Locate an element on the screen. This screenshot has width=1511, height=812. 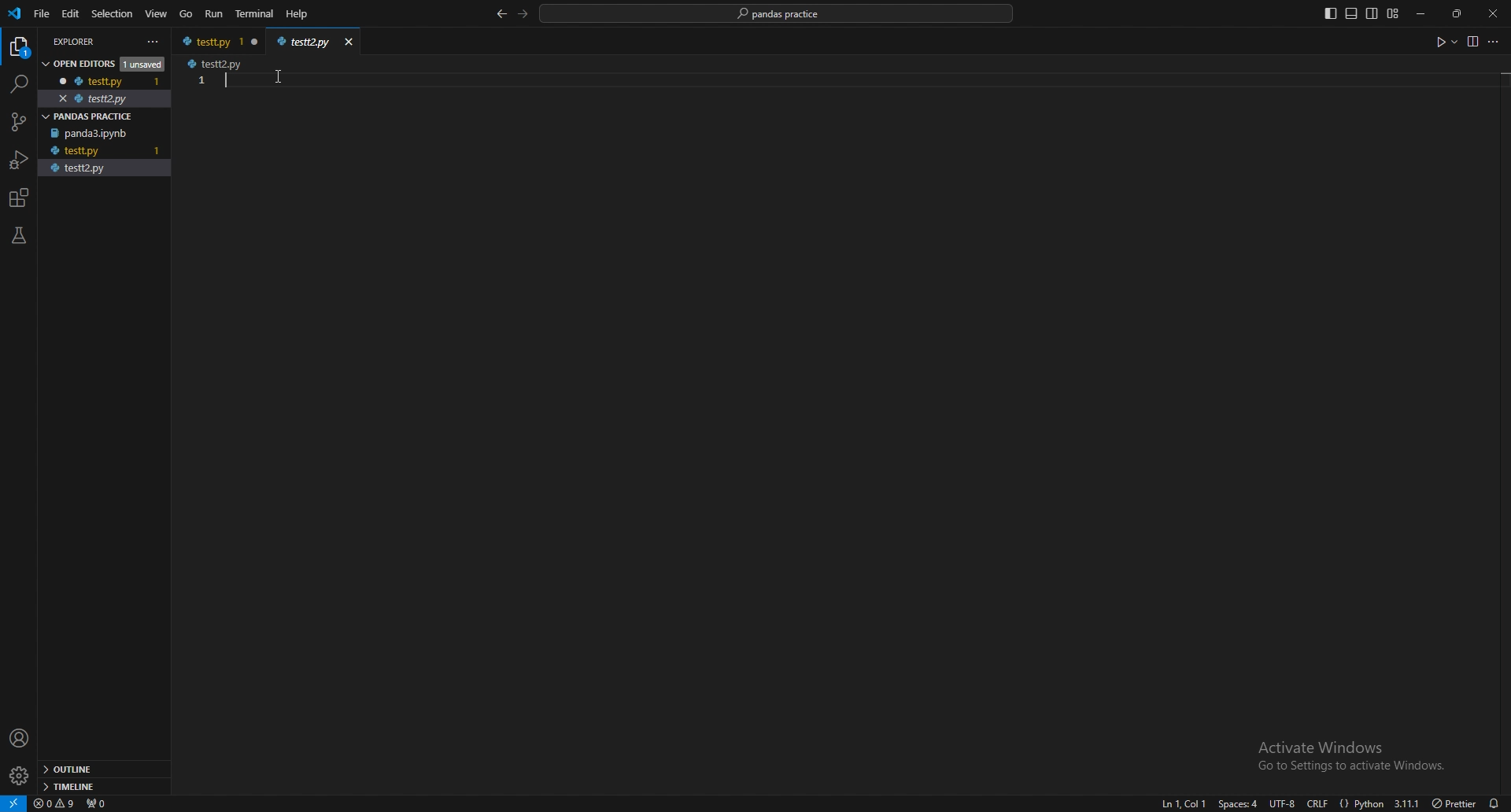
file is located at coordinates (42, 13).